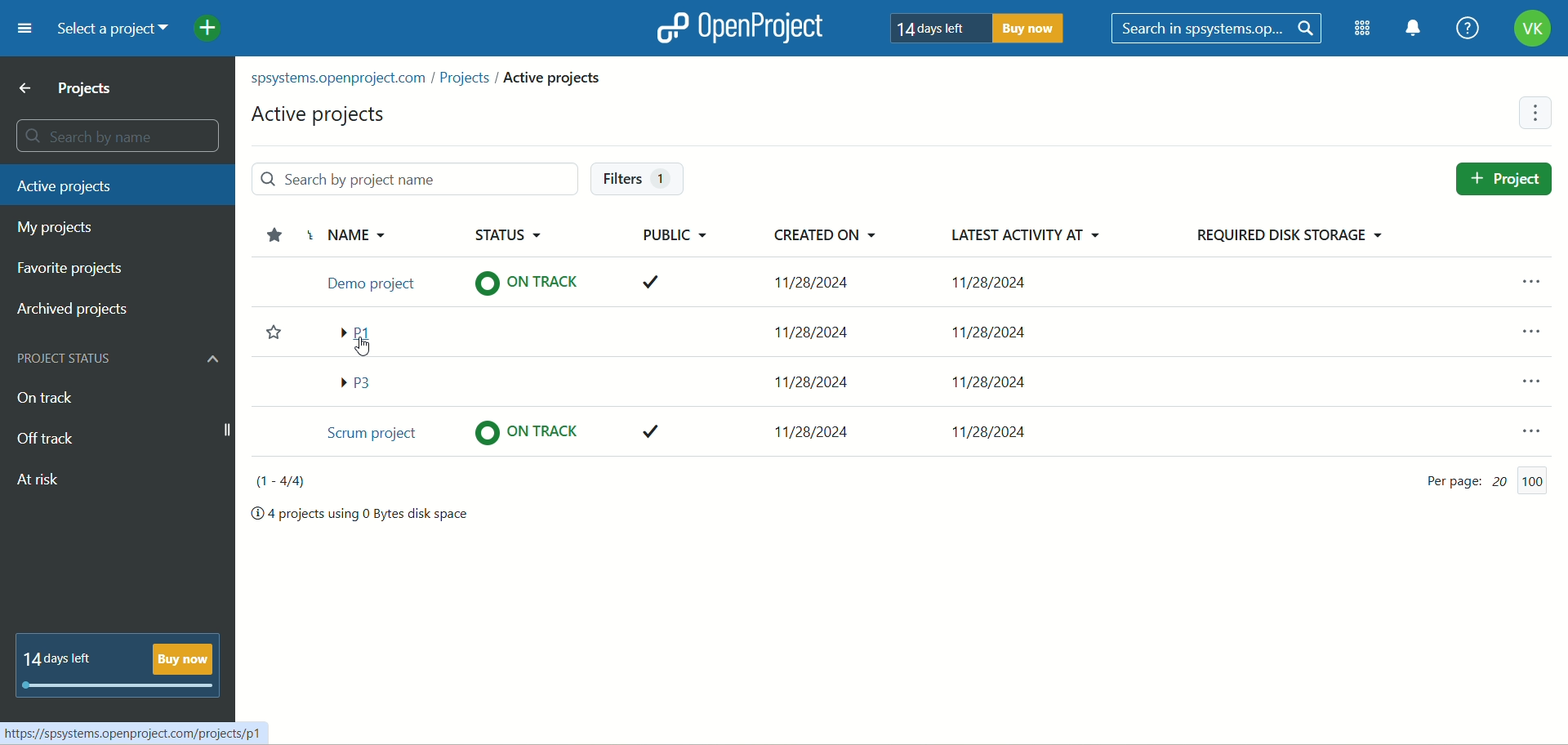 The height and width of the screenshot is (745, 1568). What do you see at coordinates (1001, 330) in the screenshot?
I see `11/28/2024` at bounding box center [1001, 330].